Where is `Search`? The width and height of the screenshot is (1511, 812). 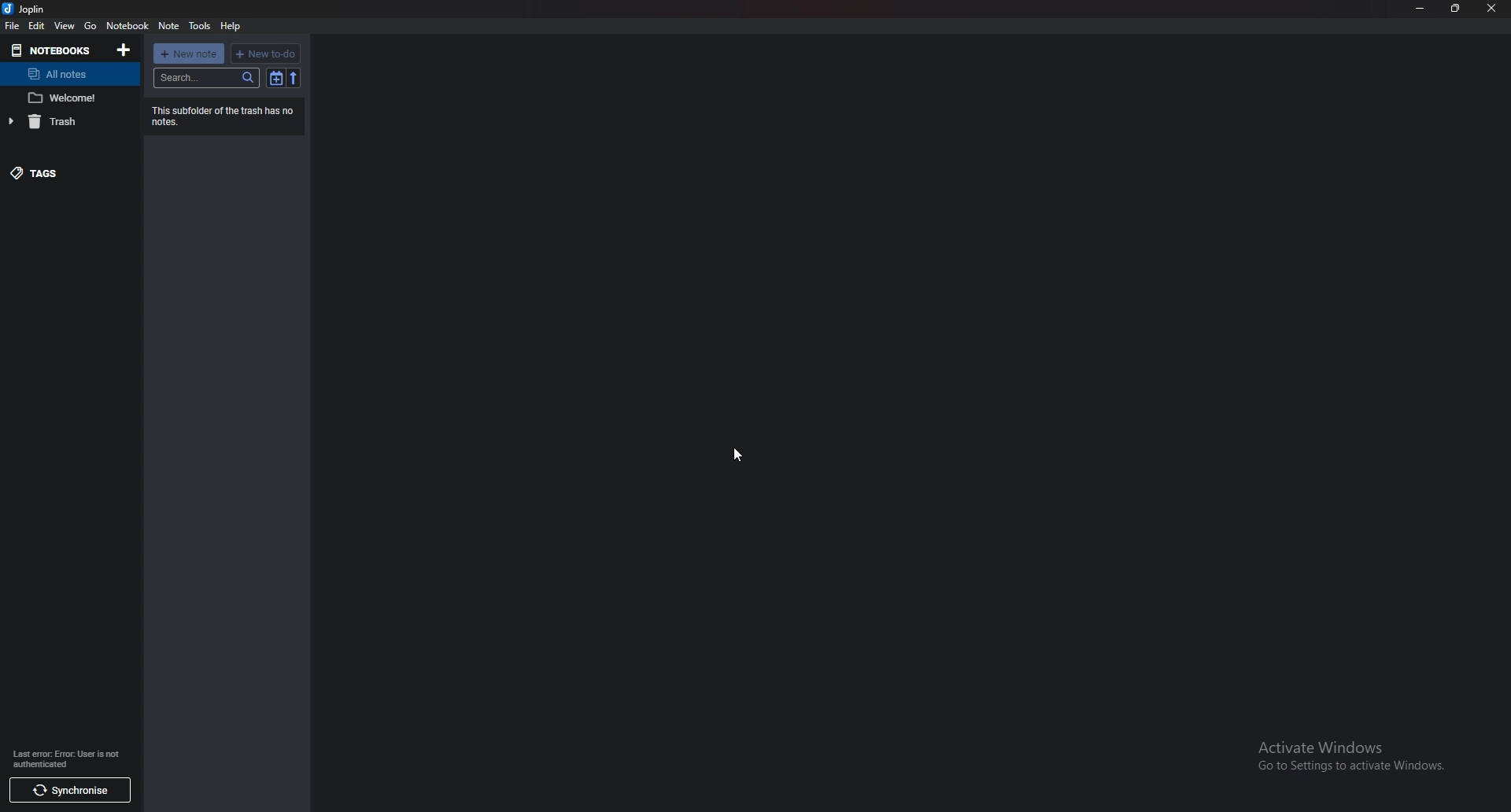
Search is located at coordinates (207, 77).